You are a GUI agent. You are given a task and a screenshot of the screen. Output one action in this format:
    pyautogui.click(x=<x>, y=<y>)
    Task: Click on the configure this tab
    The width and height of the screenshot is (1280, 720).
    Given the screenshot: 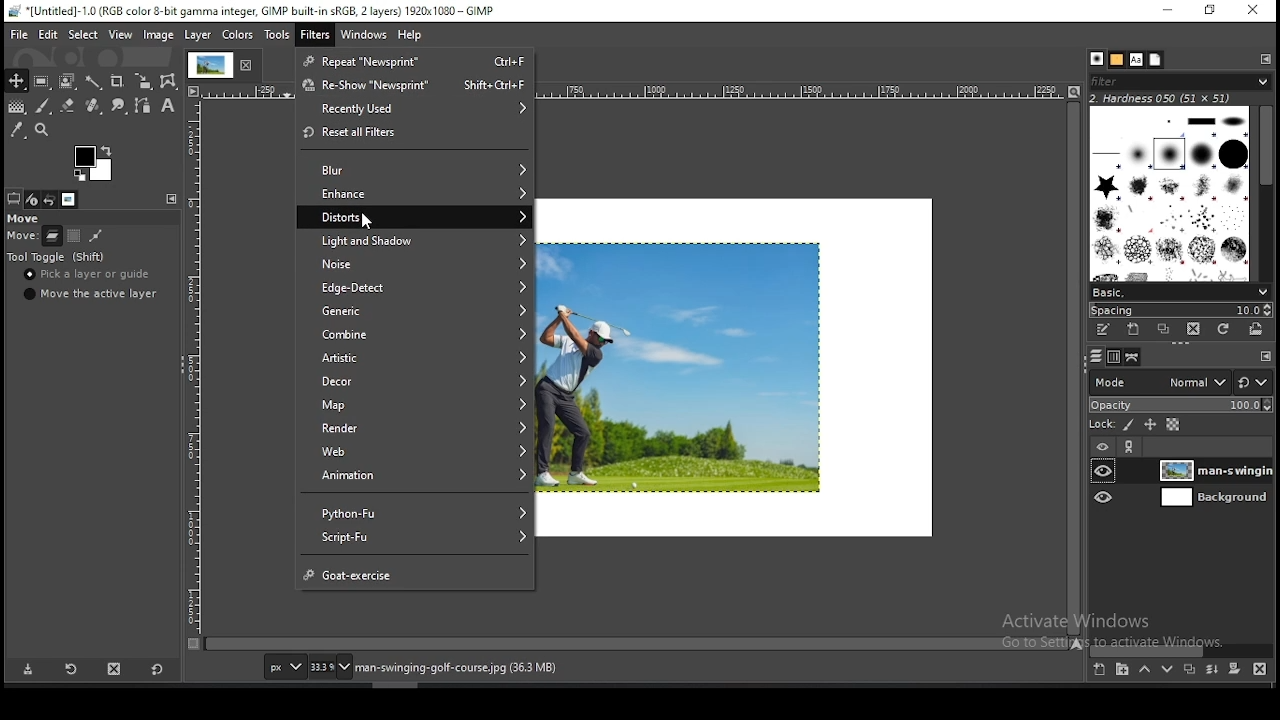 What is the action you would take?
    pyautogui.click(x=1262, y=59)
    